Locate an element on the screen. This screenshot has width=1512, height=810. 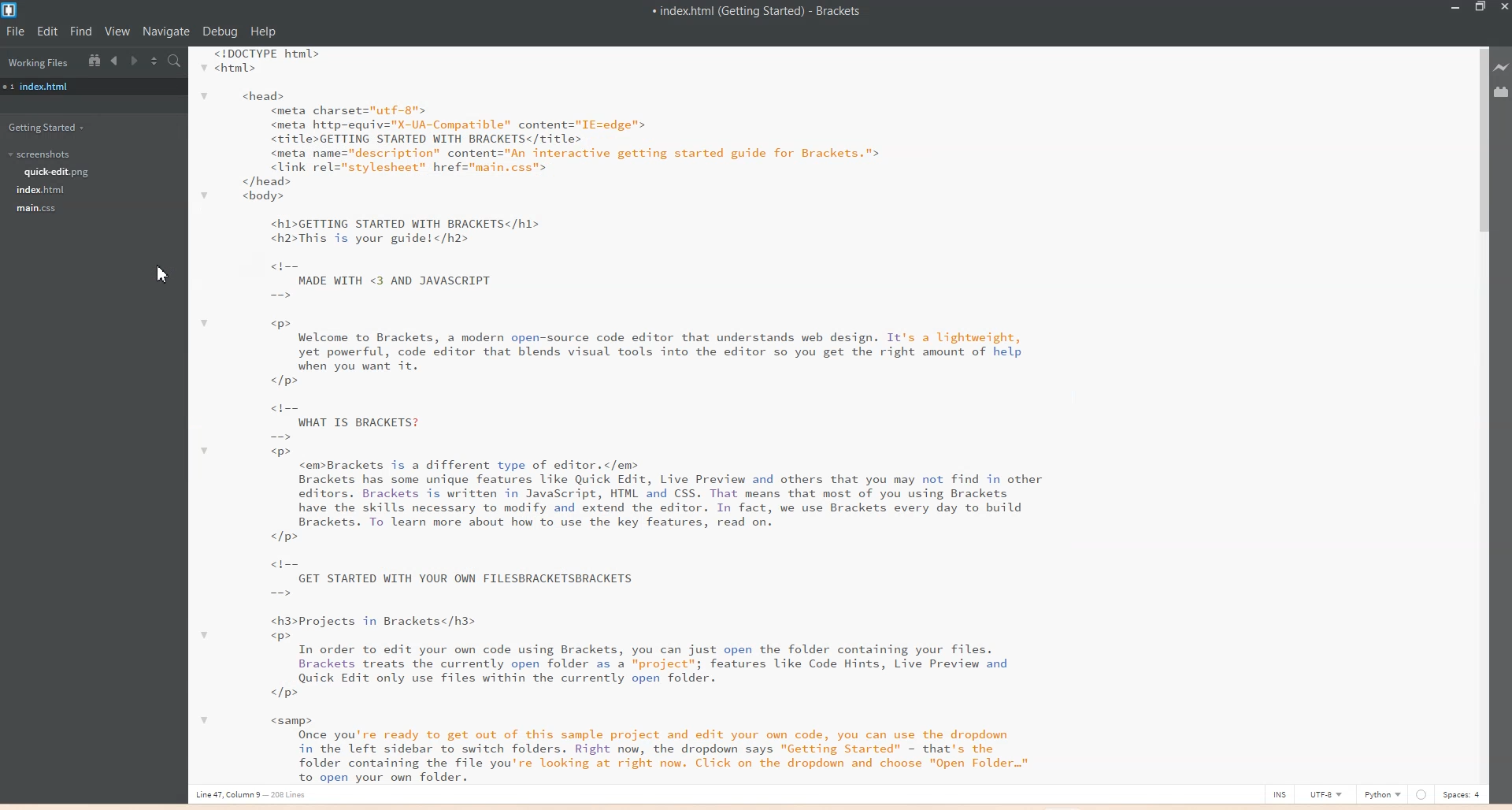
Working Files is located at coordinates (39, 63).